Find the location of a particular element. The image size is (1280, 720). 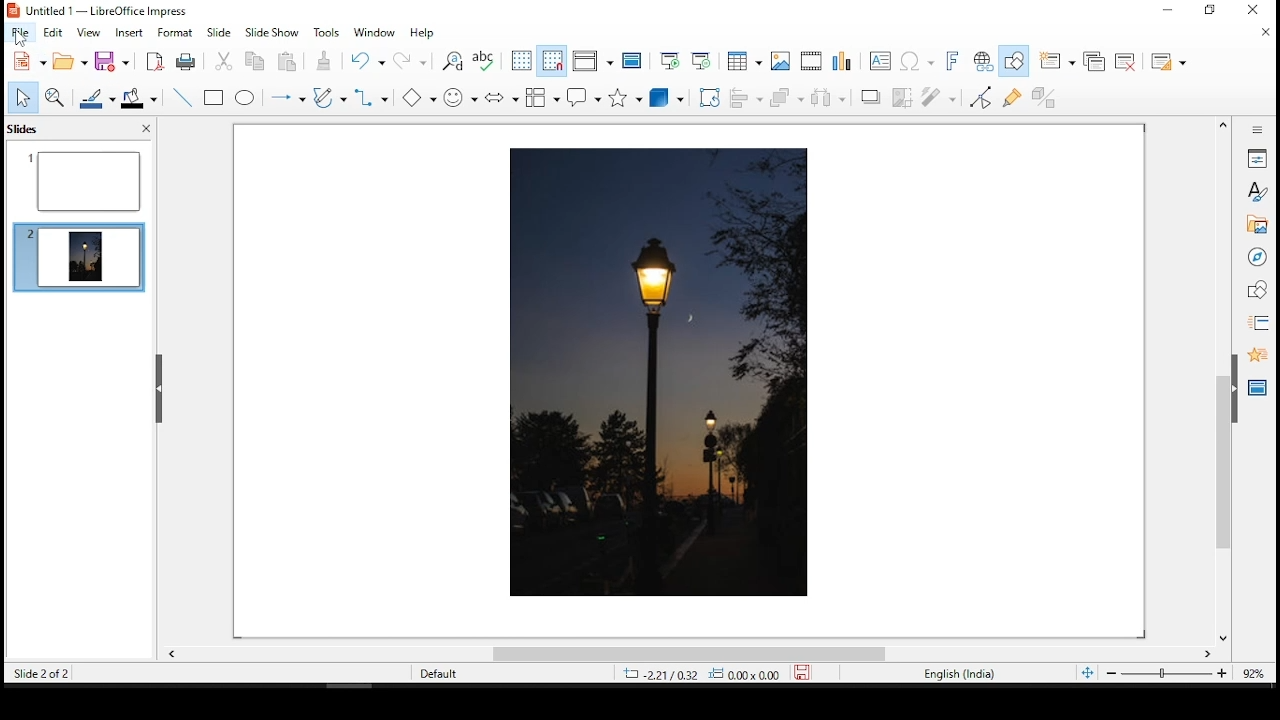

save is located at coordinates (111, 61).